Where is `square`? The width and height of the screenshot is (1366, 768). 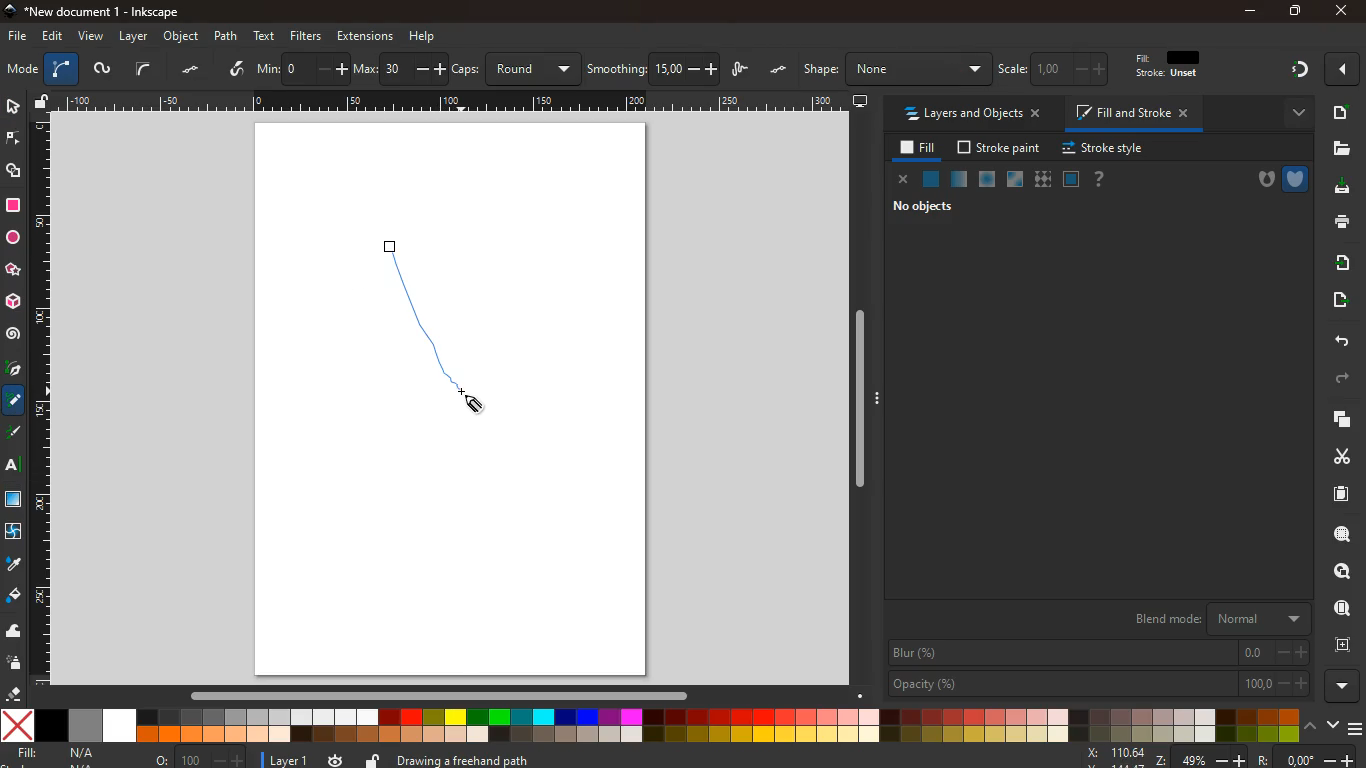 square is located at coordinates (1071, 181).